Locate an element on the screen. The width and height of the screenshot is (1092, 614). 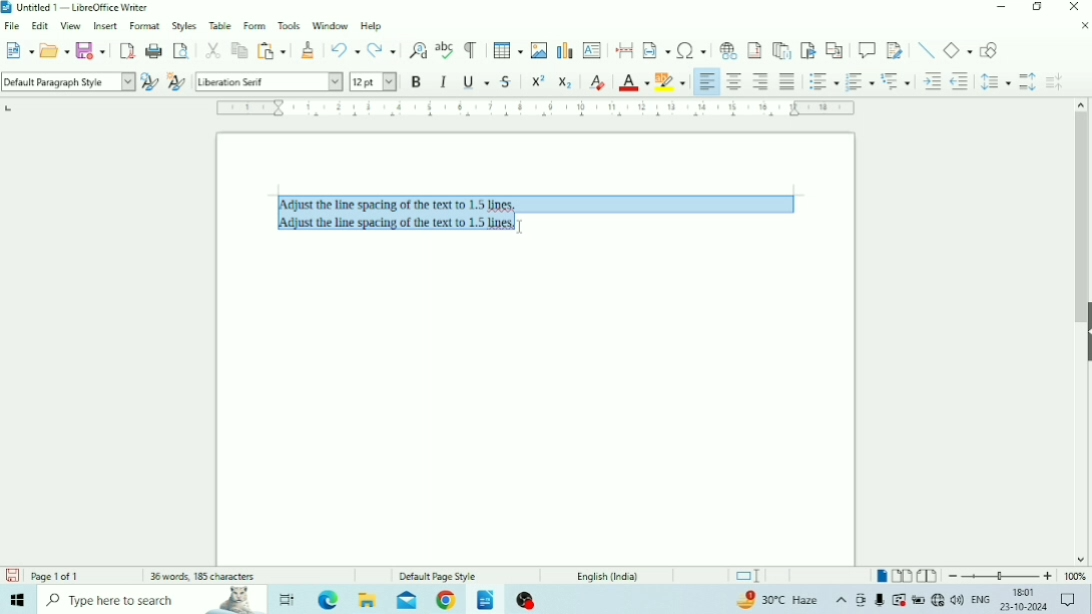
Basic Shapes is located at coordinates (957, 49).